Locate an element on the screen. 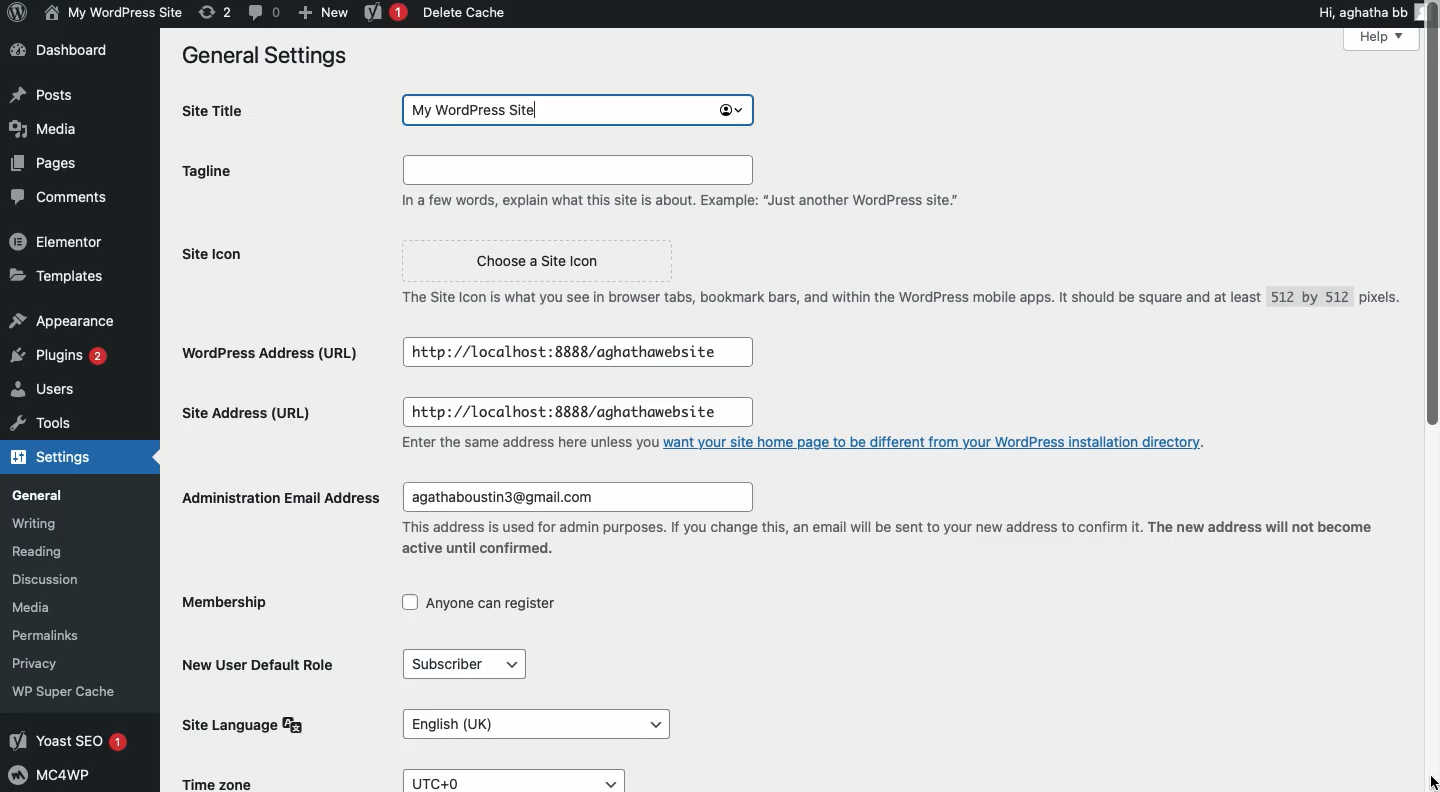 This screenshot has width=1440, height=792. General is located at coordinates (38, 497).